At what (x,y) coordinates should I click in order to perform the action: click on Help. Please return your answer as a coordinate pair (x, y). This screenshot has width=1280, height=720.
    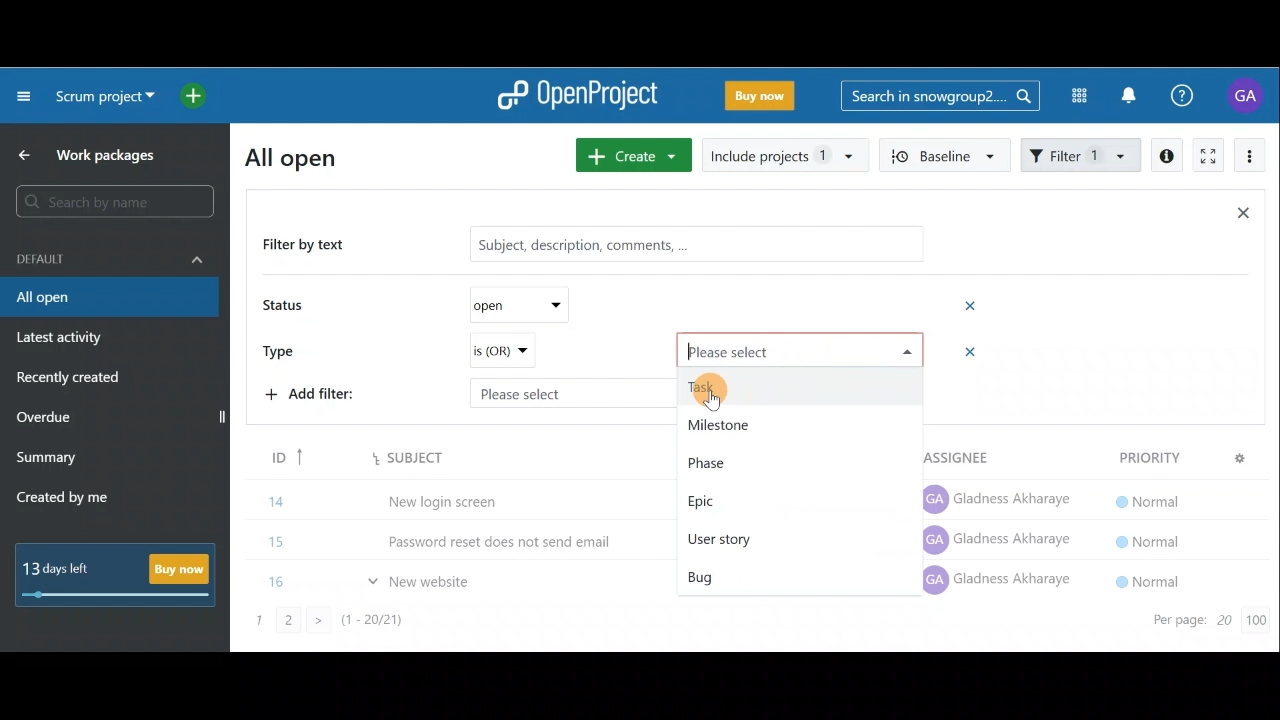
    Looking at the image, I should click on (1193, 96).